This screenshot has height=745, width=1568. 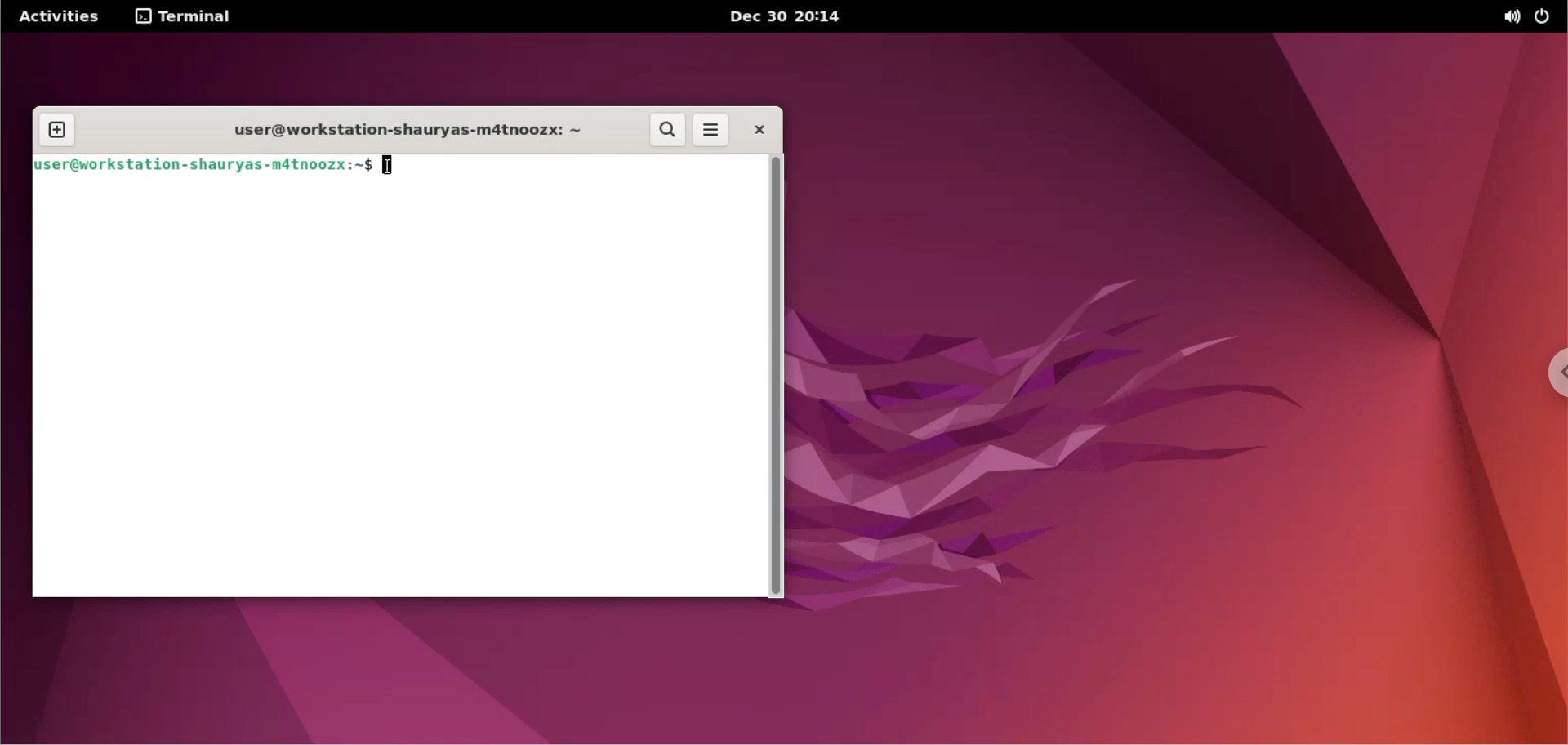 What do you see at coordinates (402, 132) in the screenshot?
I see `user@workstation-shauryas-m4tnoozx: ~` at bounding box center [402, 132].